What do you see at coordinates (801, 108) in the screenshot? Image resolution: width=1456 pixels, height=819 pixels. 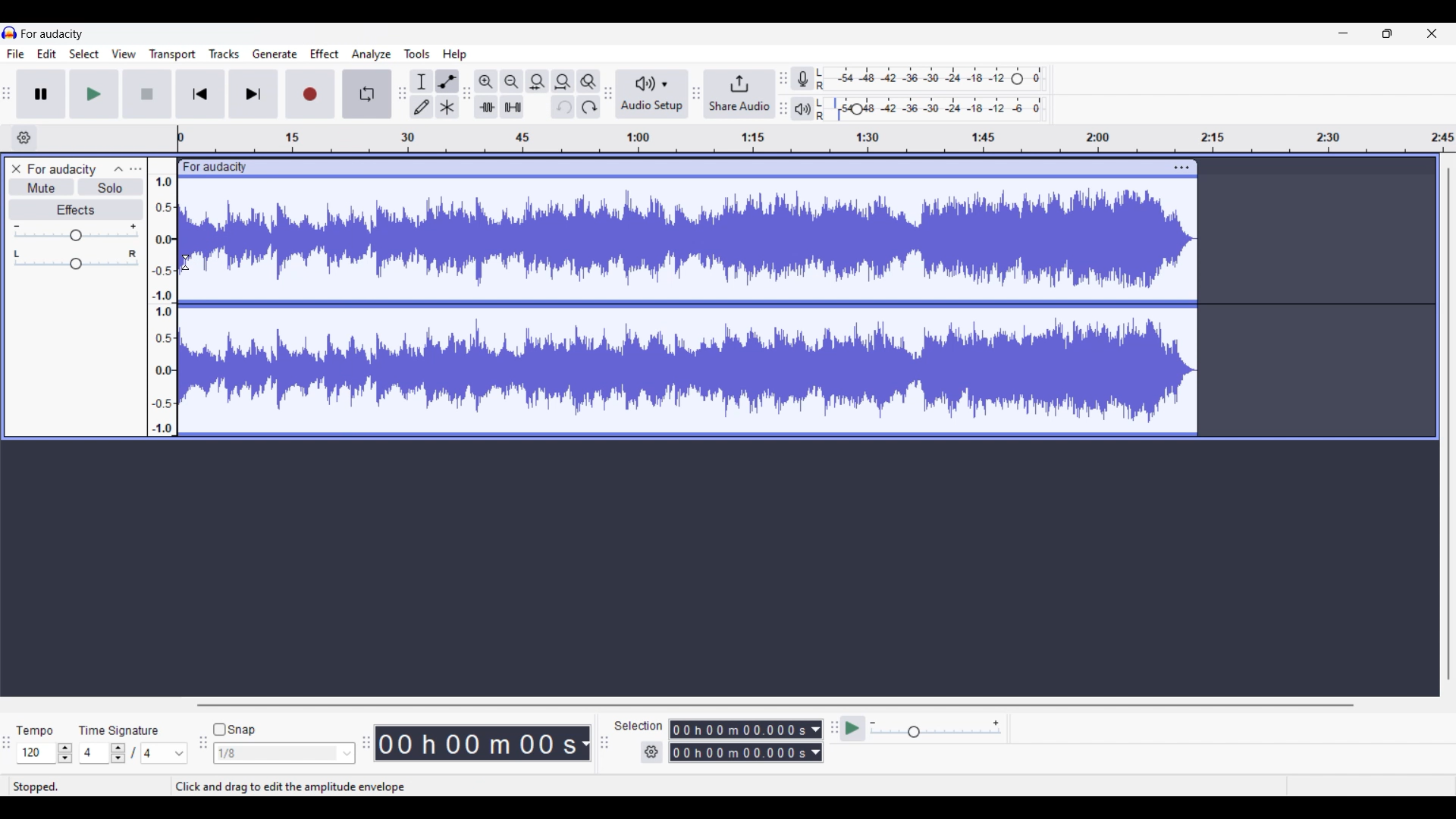 I see `Playback meter` at bounding box center [801, 108].